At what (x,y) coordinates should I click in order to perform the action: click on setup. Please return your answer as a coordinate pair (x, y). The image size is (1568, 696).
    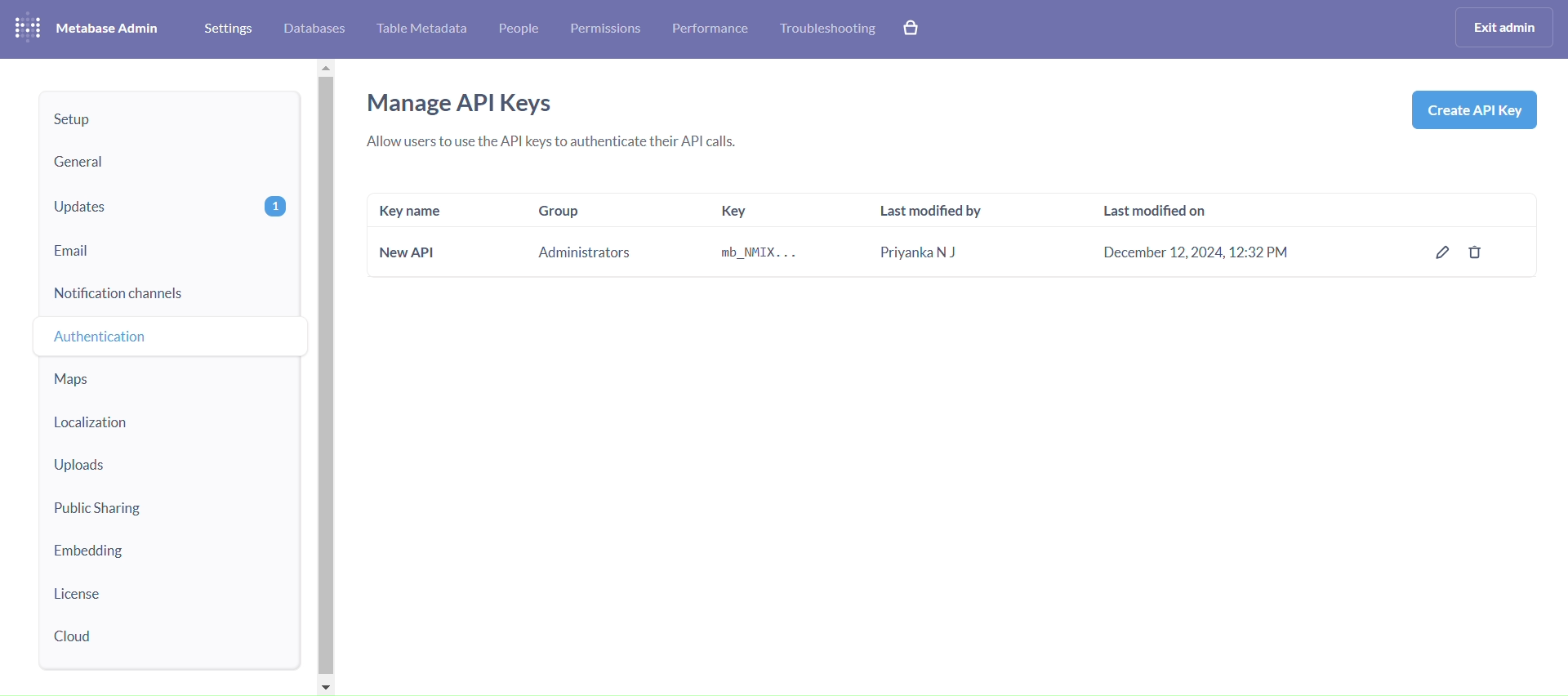
    Looking at the image, I should click on (172, 118).